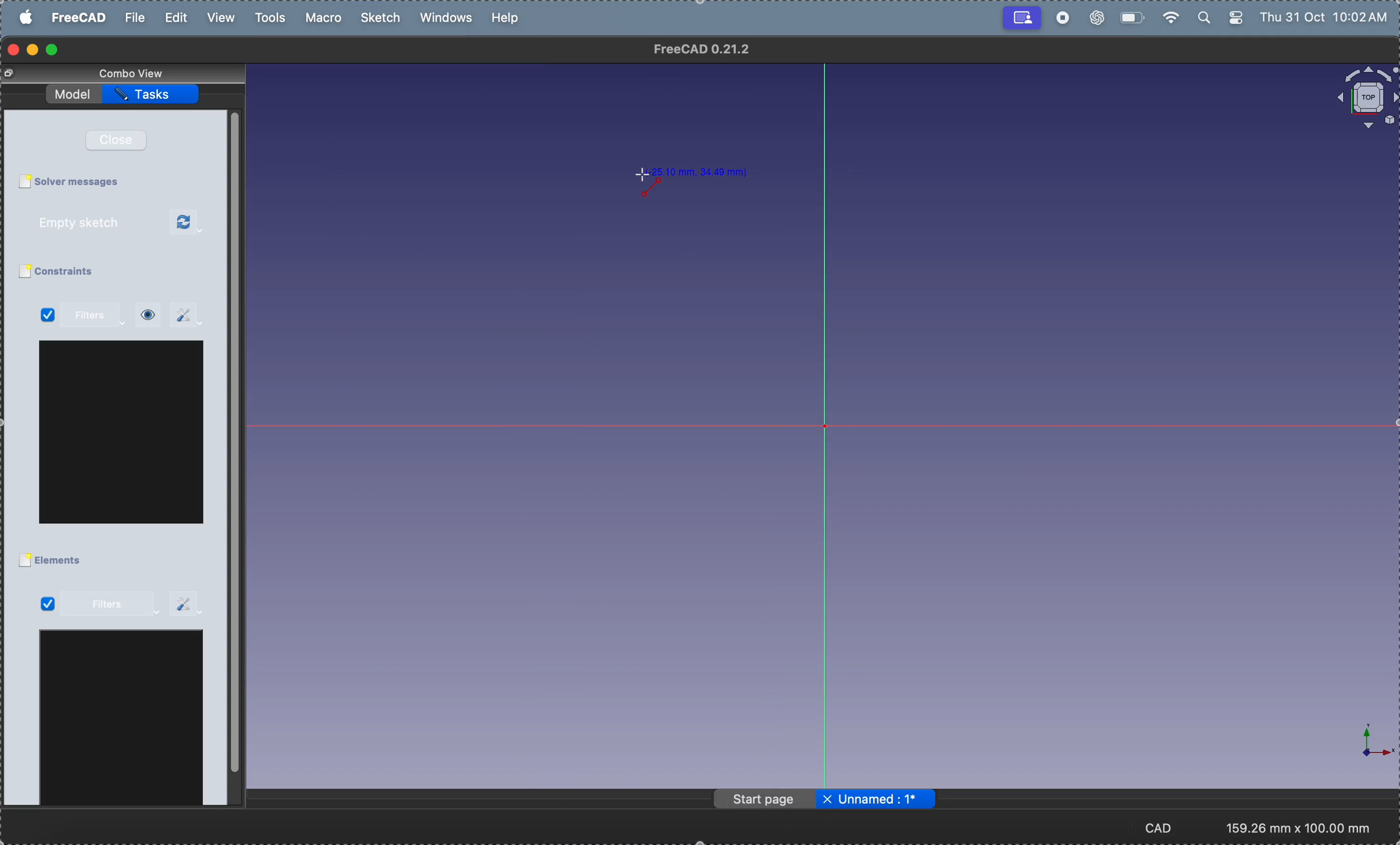 The height and width of the screenshot is (845, 1400). Describe the element at coordinates (383, 18) in the screenshot. I see `sketch` at that location.